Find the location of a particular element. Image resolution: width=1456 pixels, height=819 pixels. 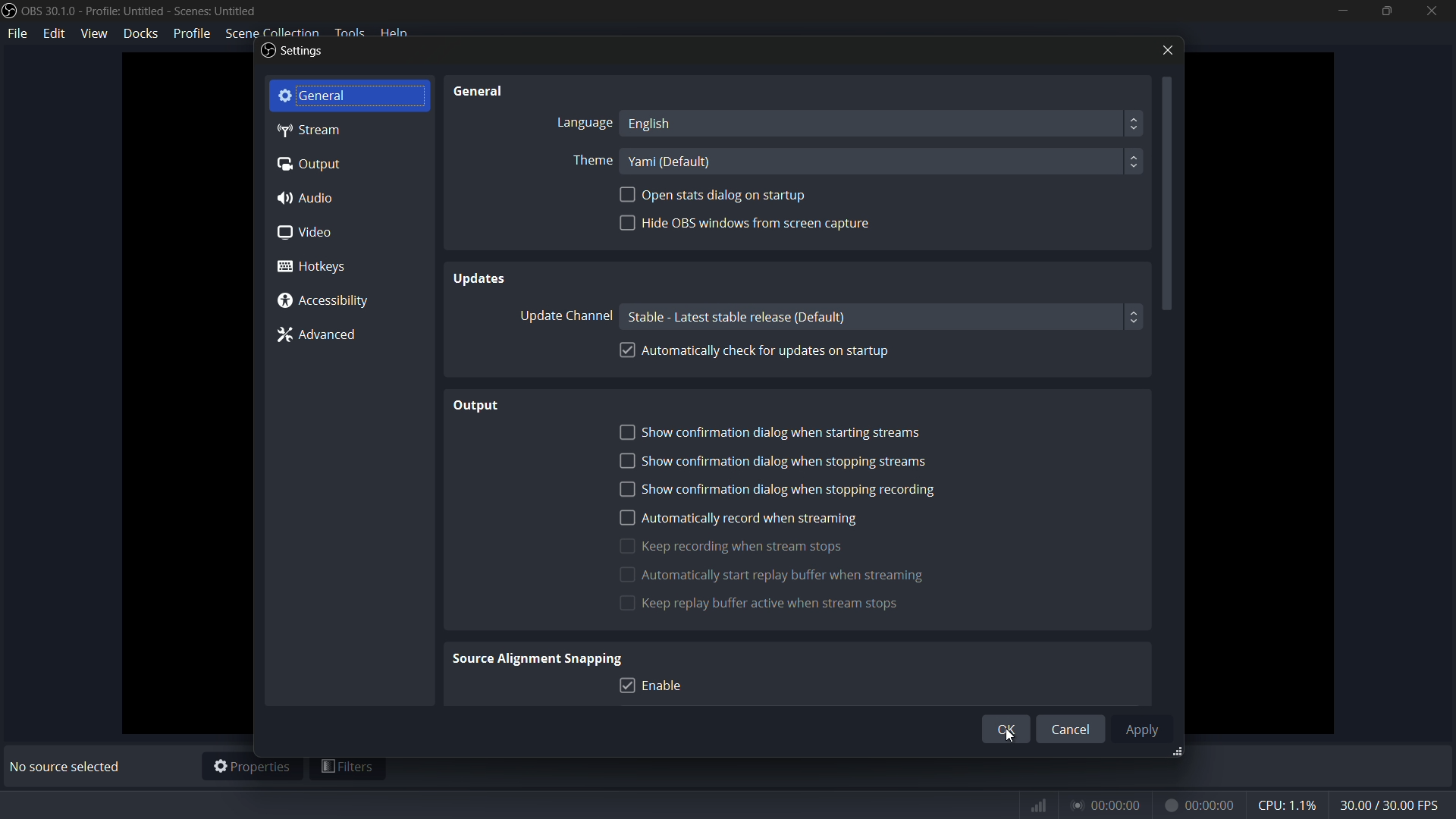

Cursor is located at coordinates (1014, 741).